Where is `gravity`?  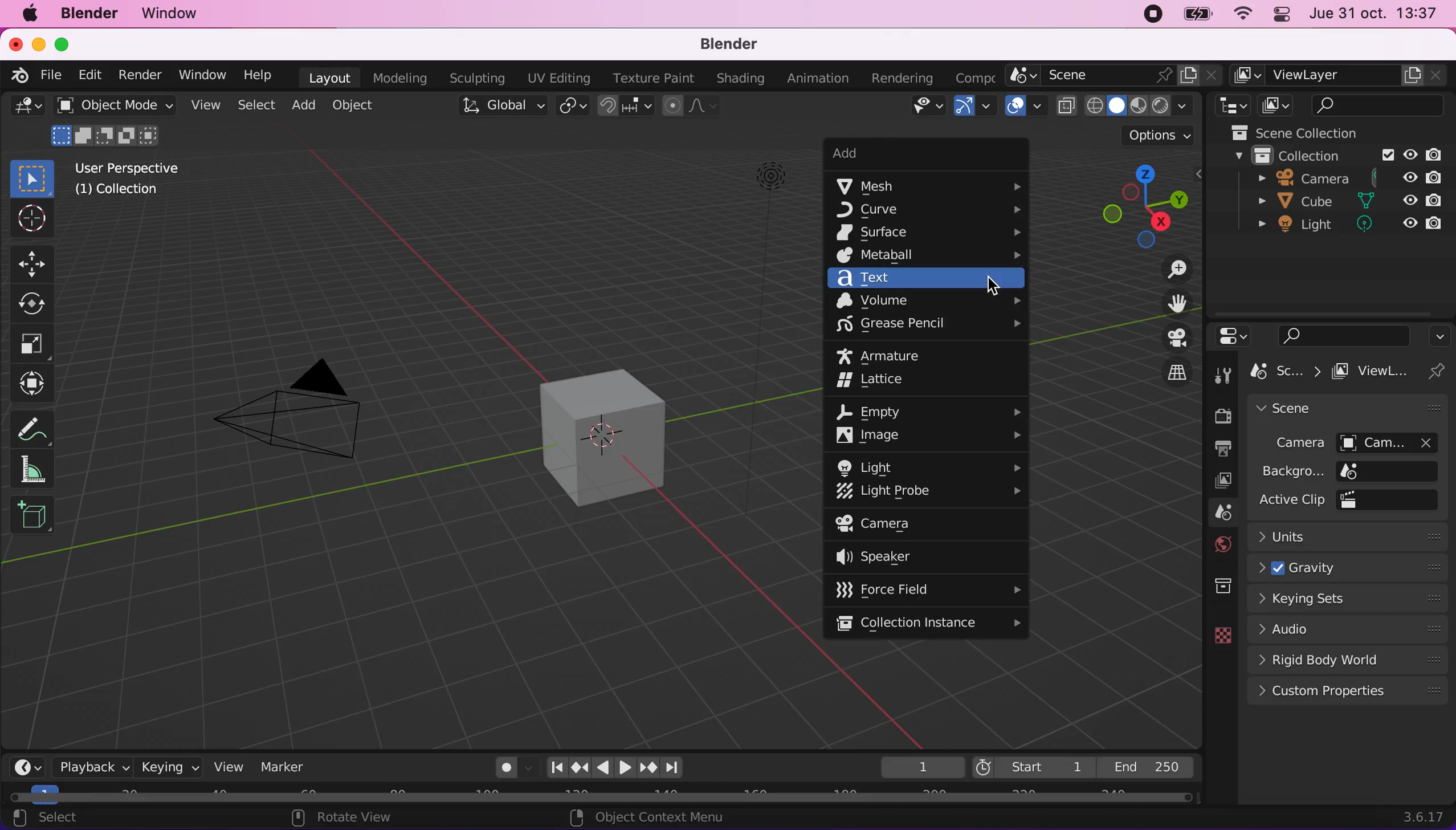
gravity is located at coordinates (1348, 567).